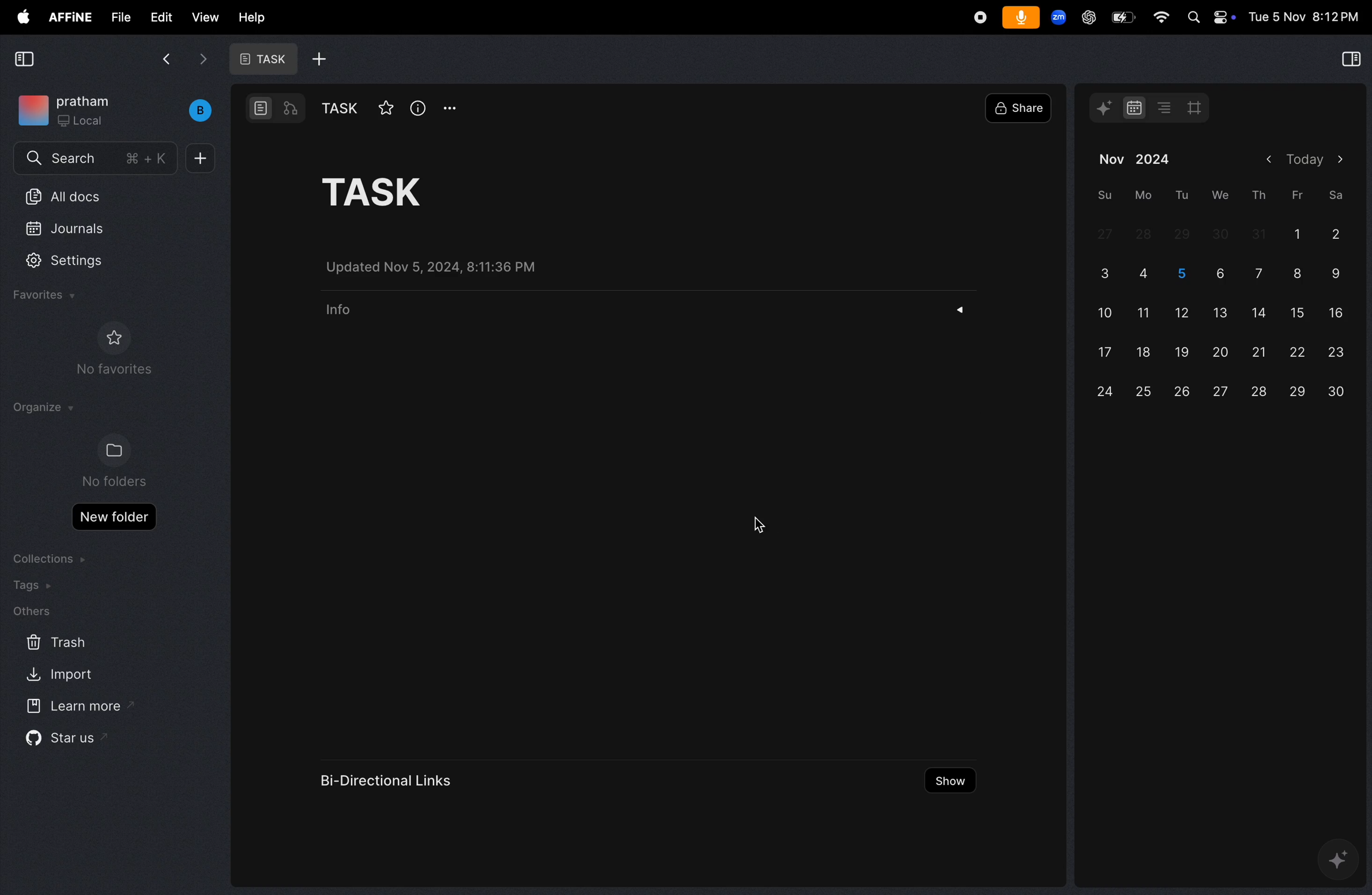 The height and width of the screenshot is (895, 1372). What do you see at coordinates (1199, 108) in the screenshot?
I see `grid` at bounding box center [1199, 108].